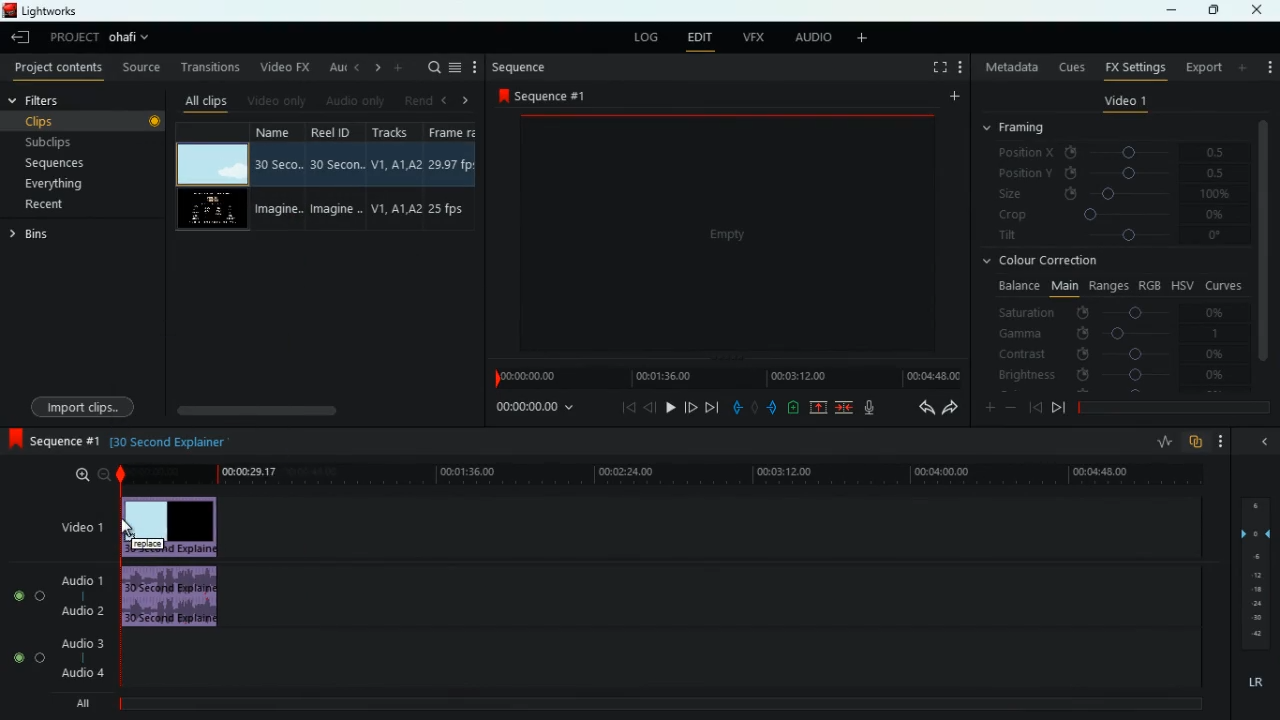 This screenshot has width=1280, height=720. What do you see at coordinates (1122, 334) in the screenshot?
I see `gamma` at bounding box center [1122, 334].